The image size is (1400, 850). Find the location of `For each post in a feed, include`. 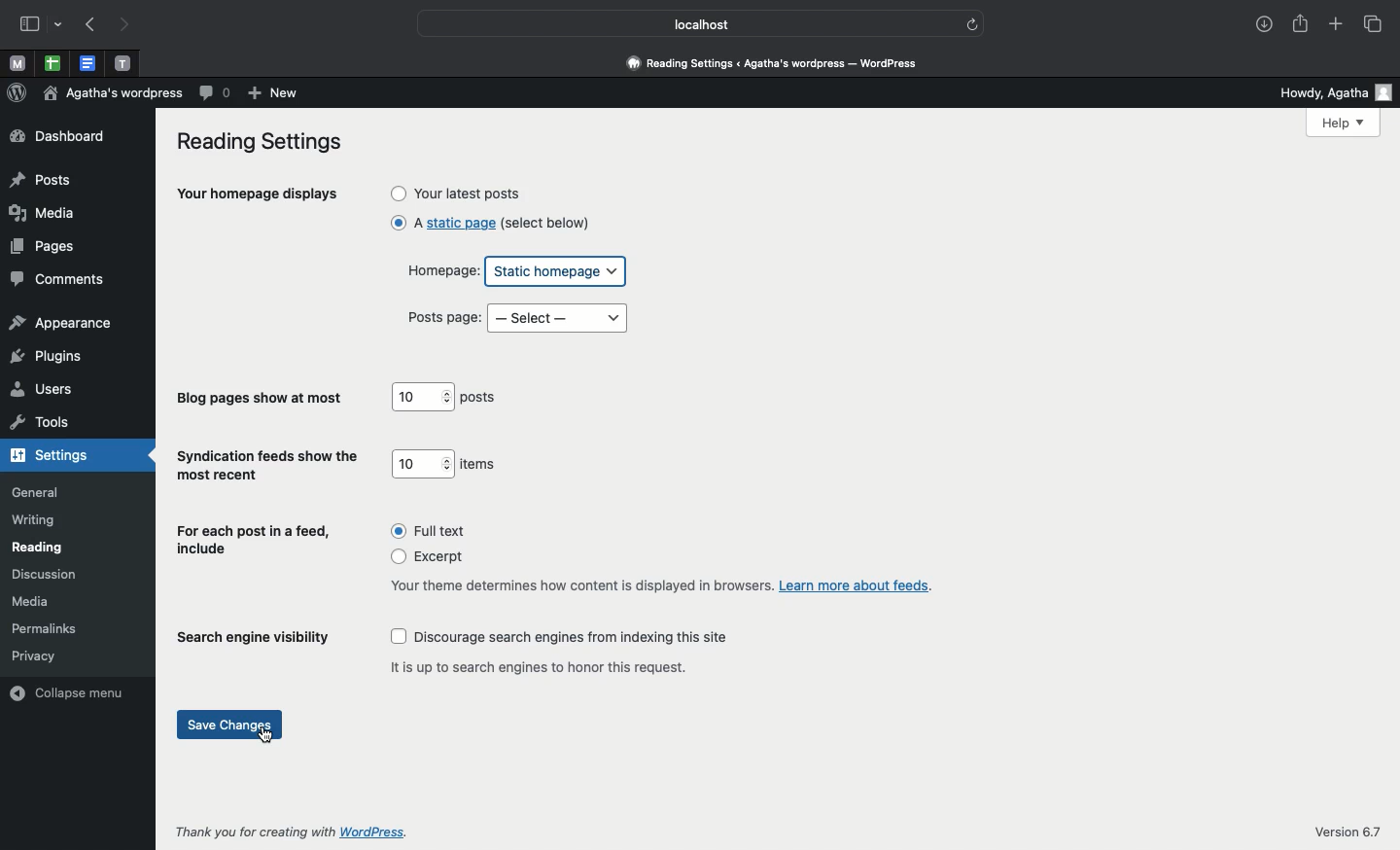

For each post in a feed, include is located at coordinates (256, 542).